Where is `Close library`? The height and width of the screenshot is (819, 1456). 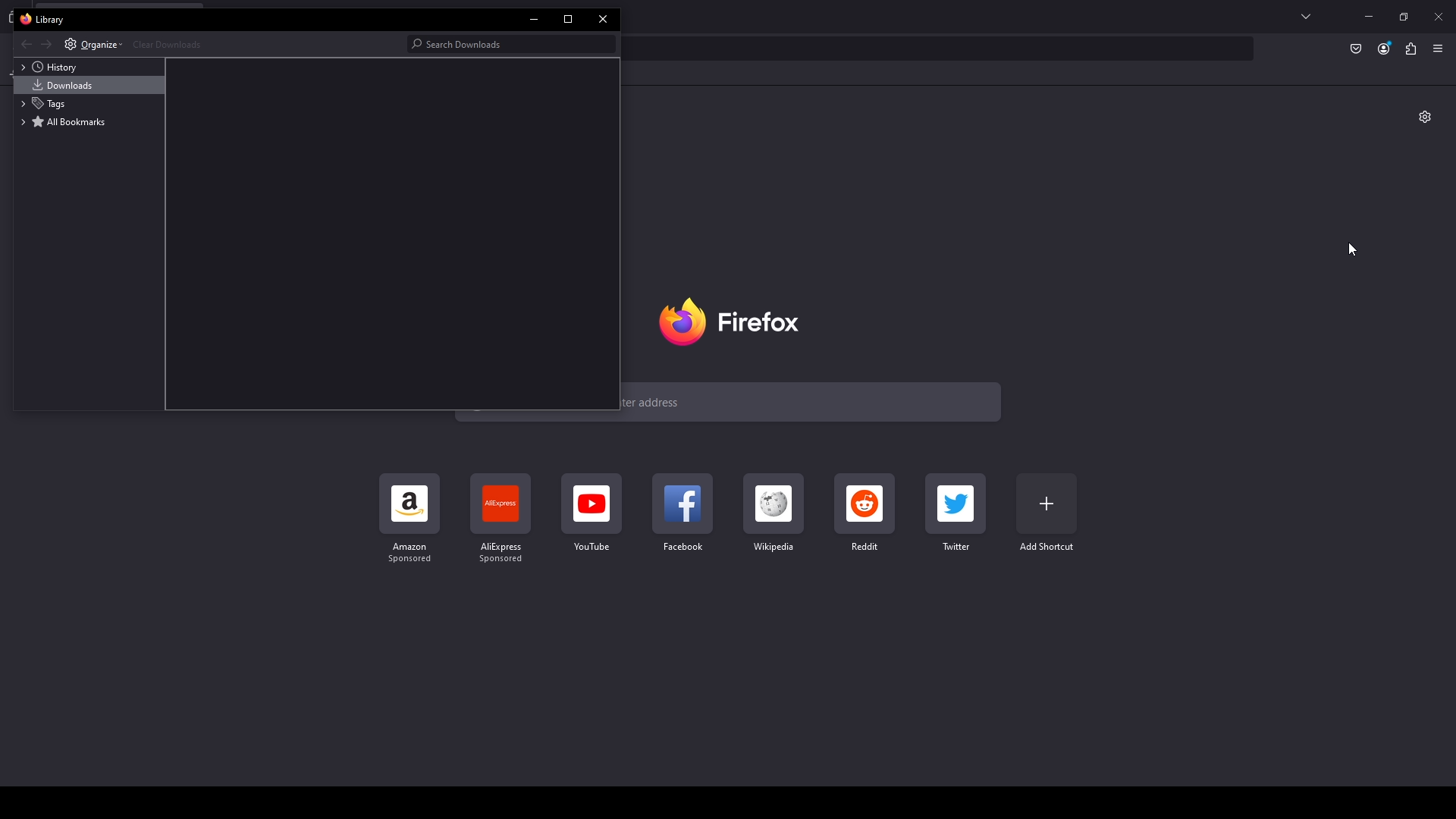
Close library is located at coordinates (603, 17).